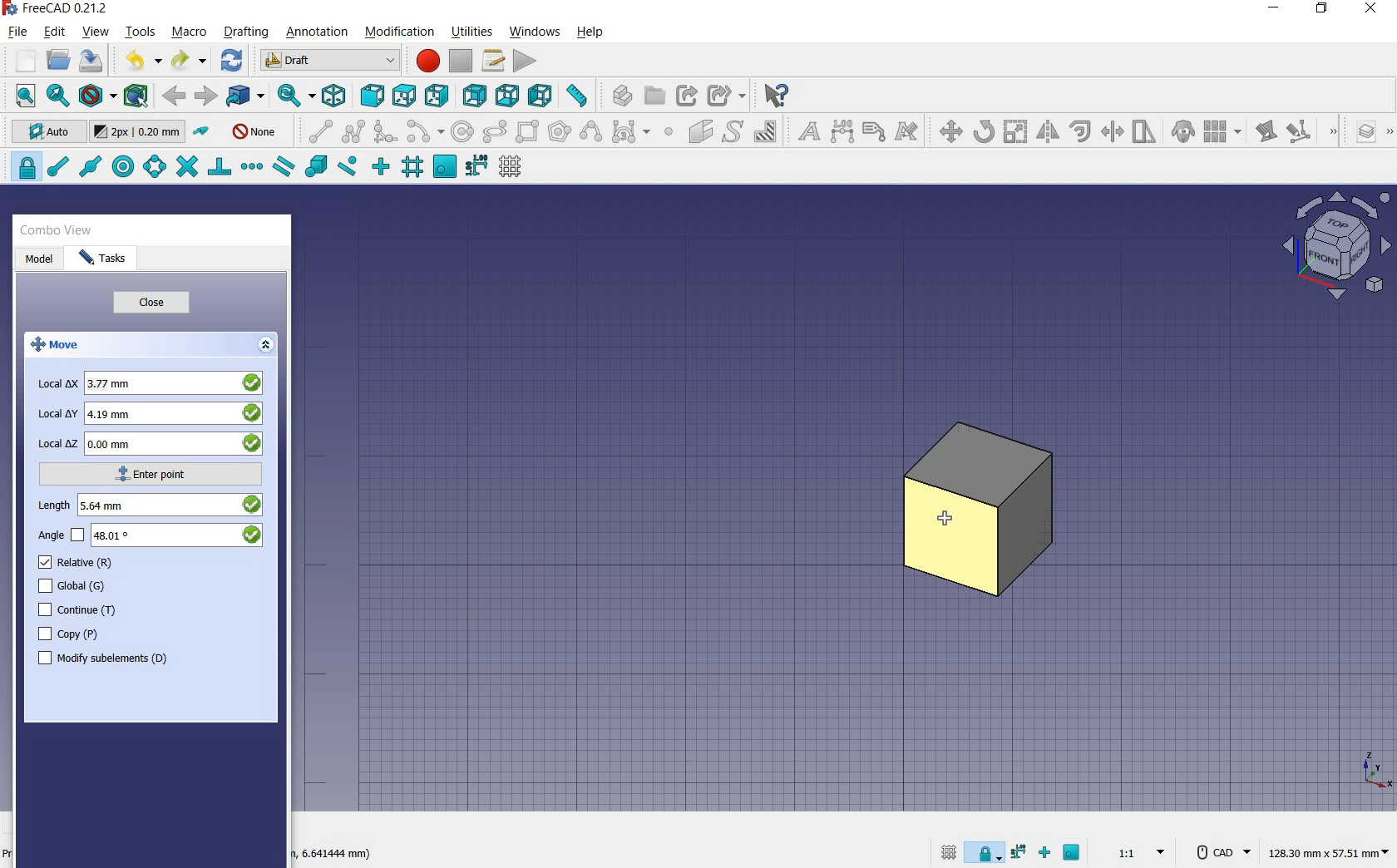 This screenshot has width=1397, height=868. I want to click on close, so click(280, 229).